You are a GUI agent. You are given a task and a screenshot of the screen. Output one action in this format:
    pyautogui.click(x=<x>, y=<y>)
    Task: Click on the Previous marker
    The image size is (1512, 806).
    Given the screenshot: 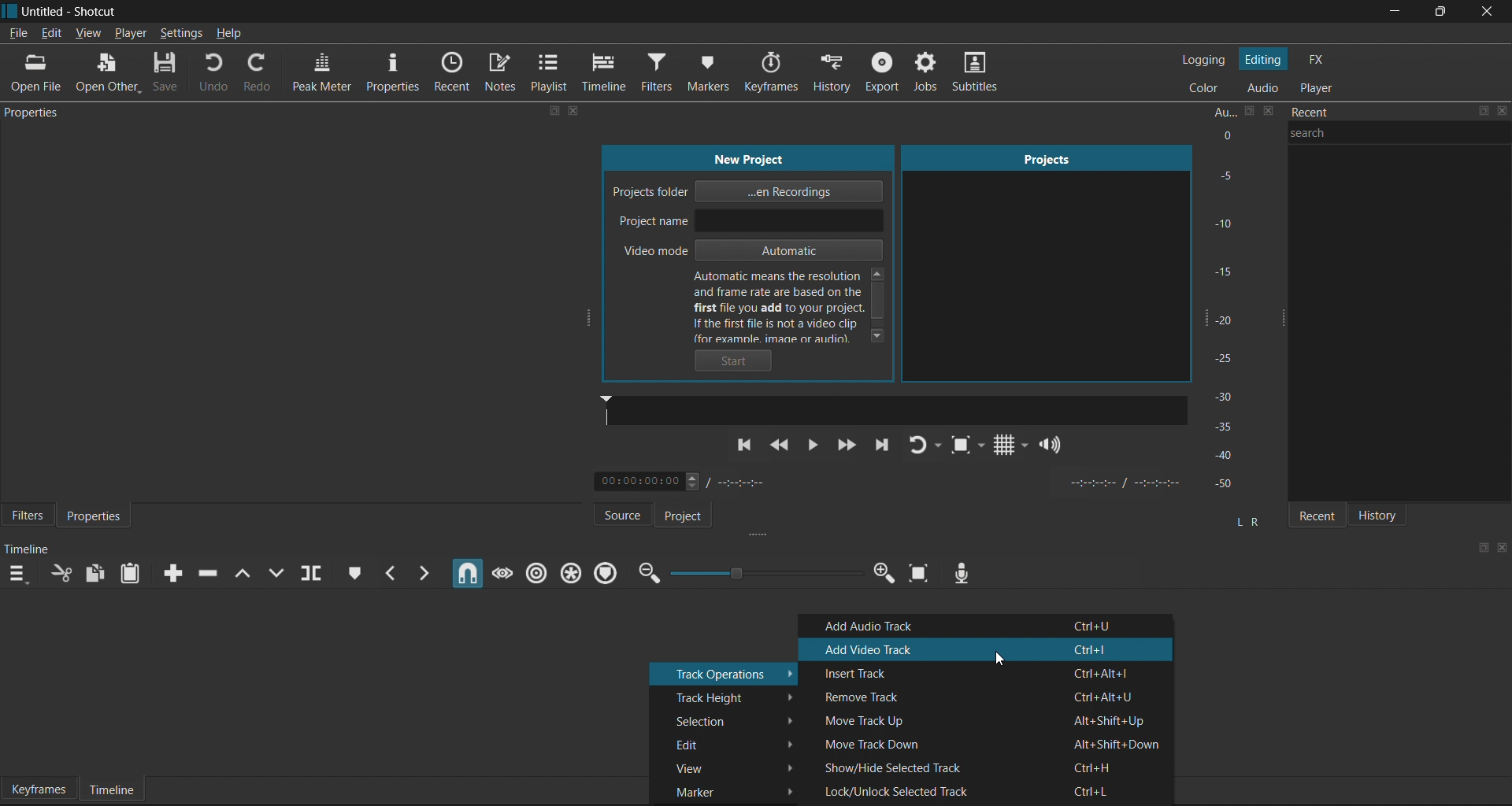 What is the action you would take?
    pyautogui.click(x=391, y=573)
    